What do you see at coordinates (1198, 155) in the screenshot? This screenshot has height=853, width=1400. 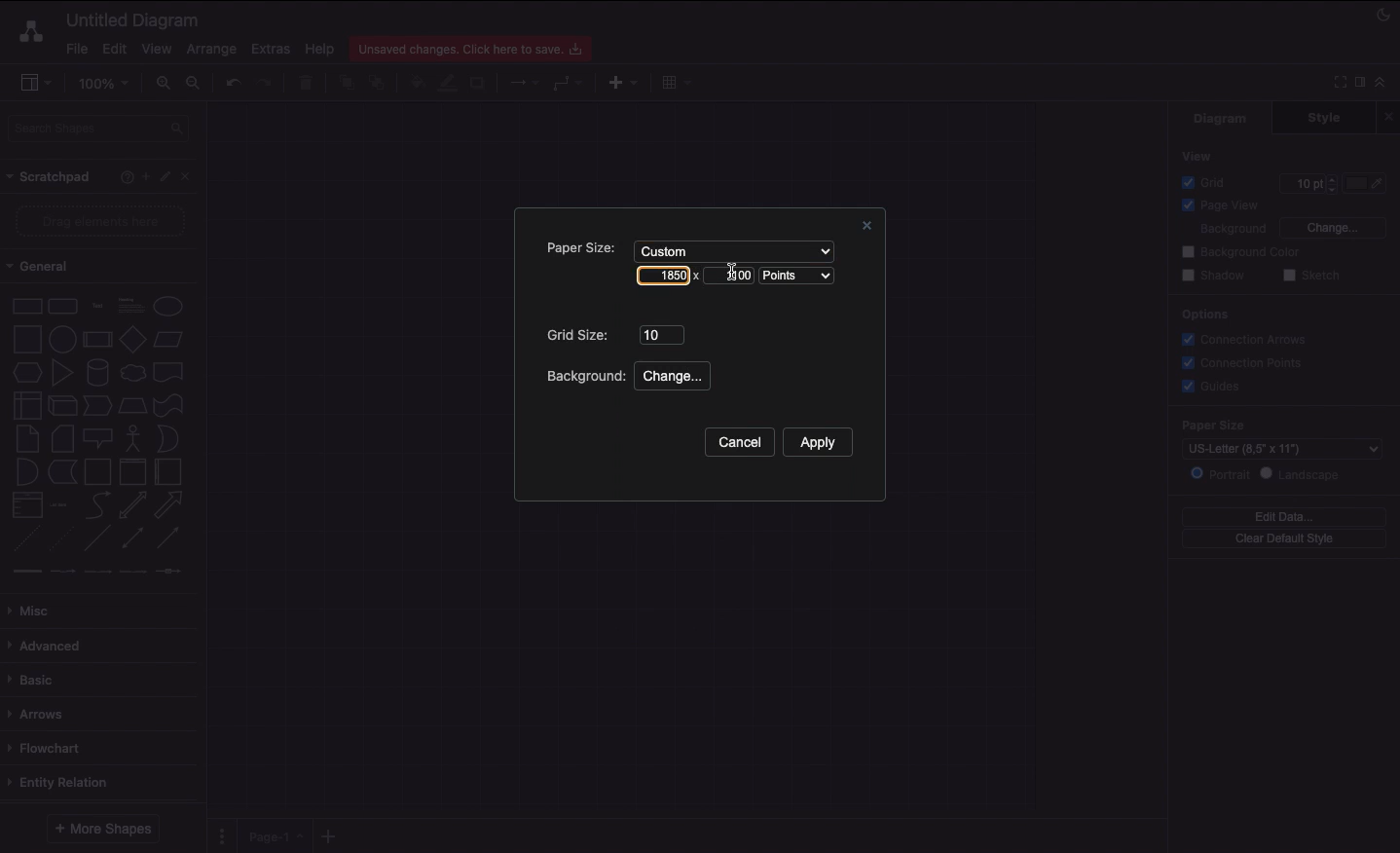 I see `View` at bounding box center [1198, 155].